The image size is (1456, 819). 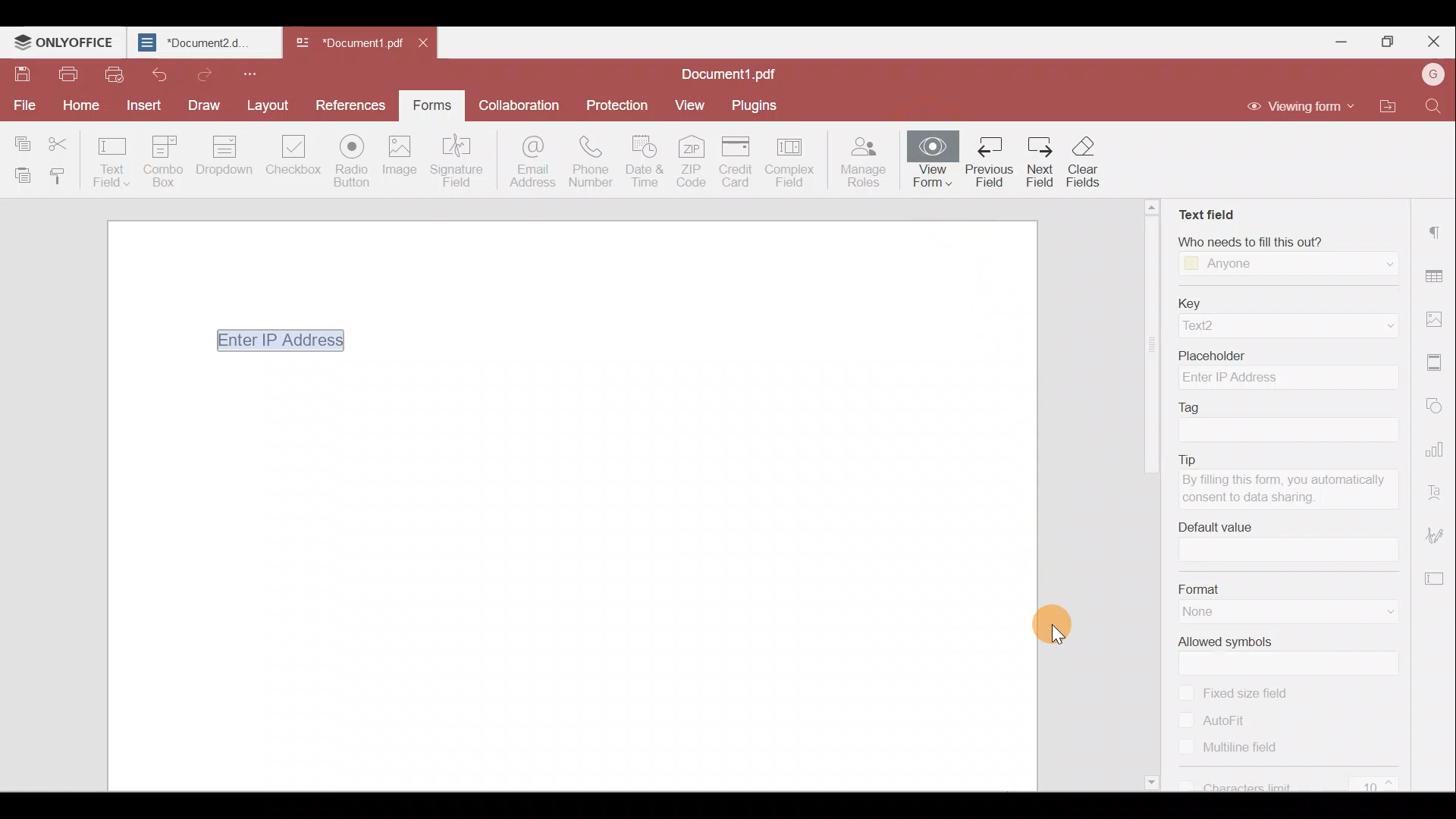 I want to click on Who needs to fill this out?, so click(x=1279, y=239).